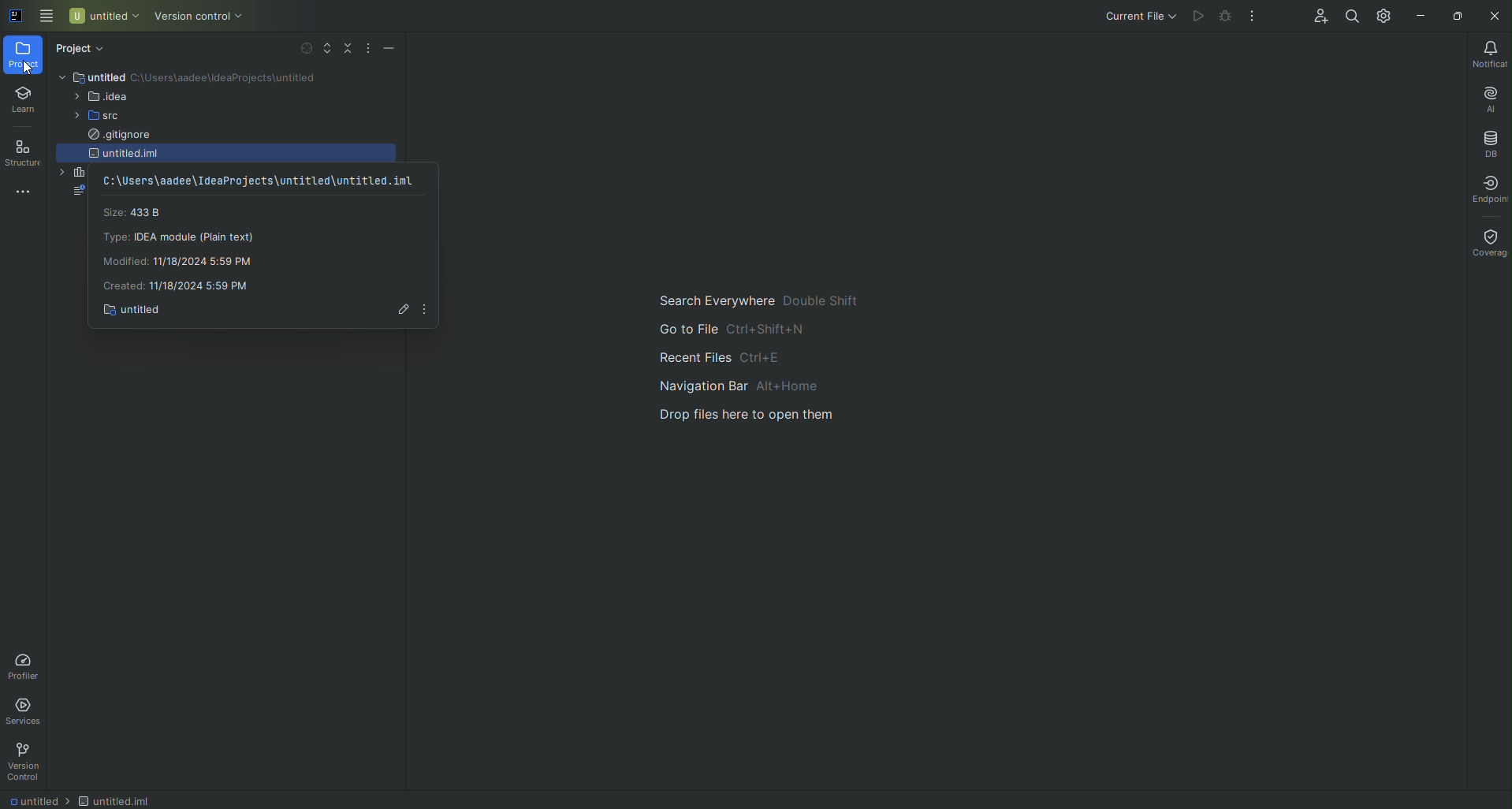  Describe the element at coordinates (1458, 15) in the screenshot. I see `Restore` at that location.